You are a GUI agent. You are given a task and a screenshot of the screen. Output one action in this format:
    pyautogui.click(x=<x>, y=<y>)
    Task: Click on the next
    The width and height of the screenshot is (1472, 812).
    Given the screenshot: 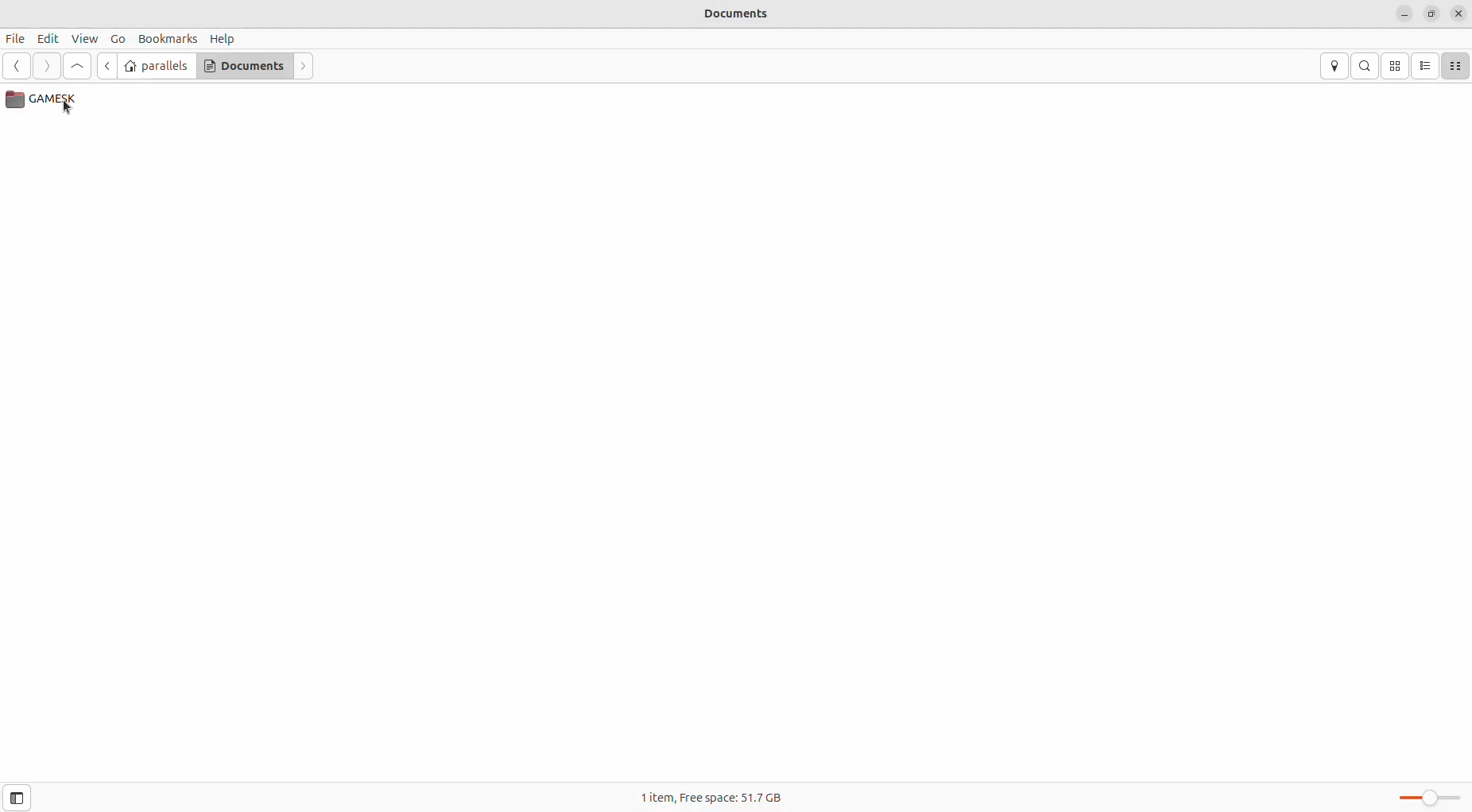 What is the action you would take?
    pyautogui.click(x=45, y=65)
    